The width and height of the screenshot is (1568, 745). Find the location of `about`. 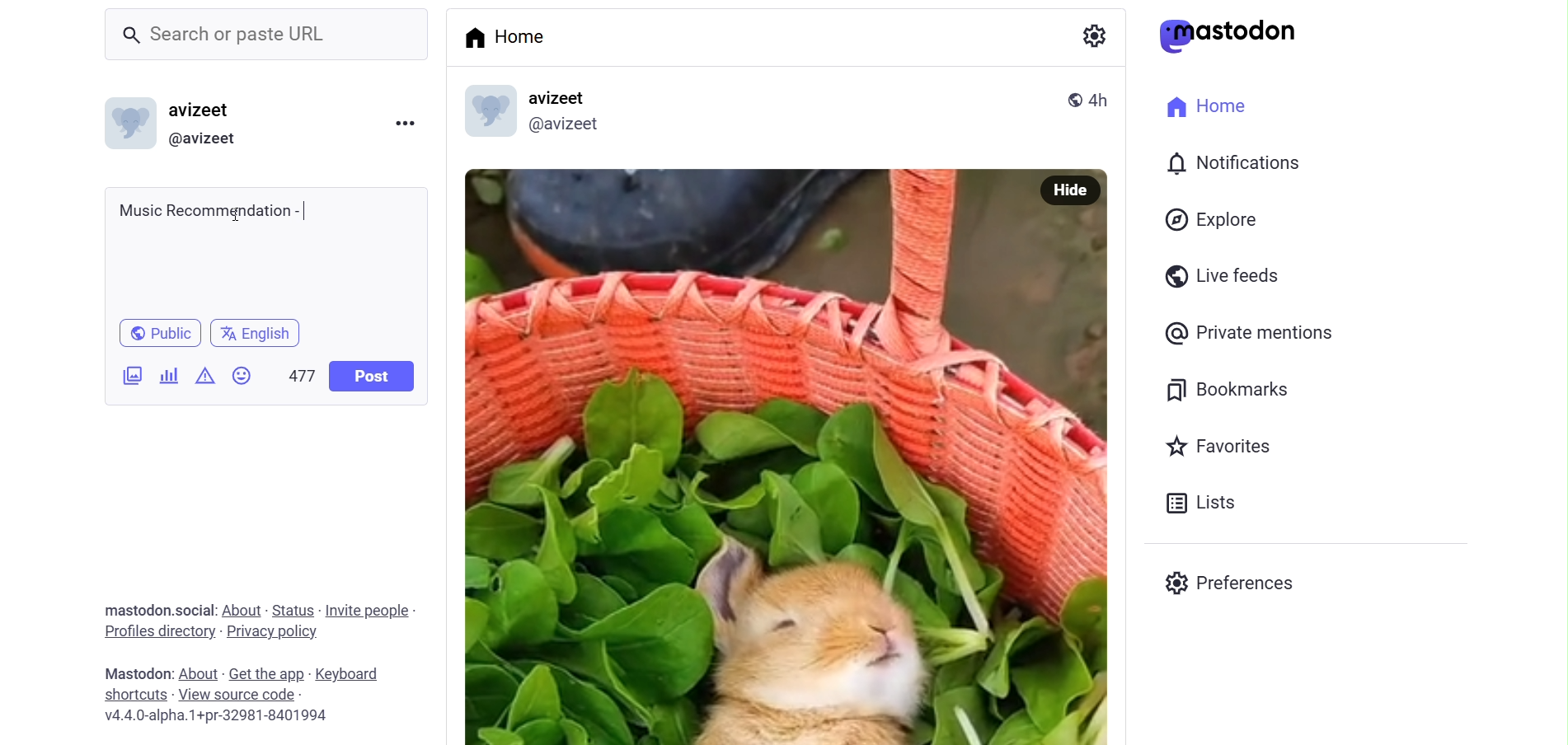

about is located at coordinates (200, 672).